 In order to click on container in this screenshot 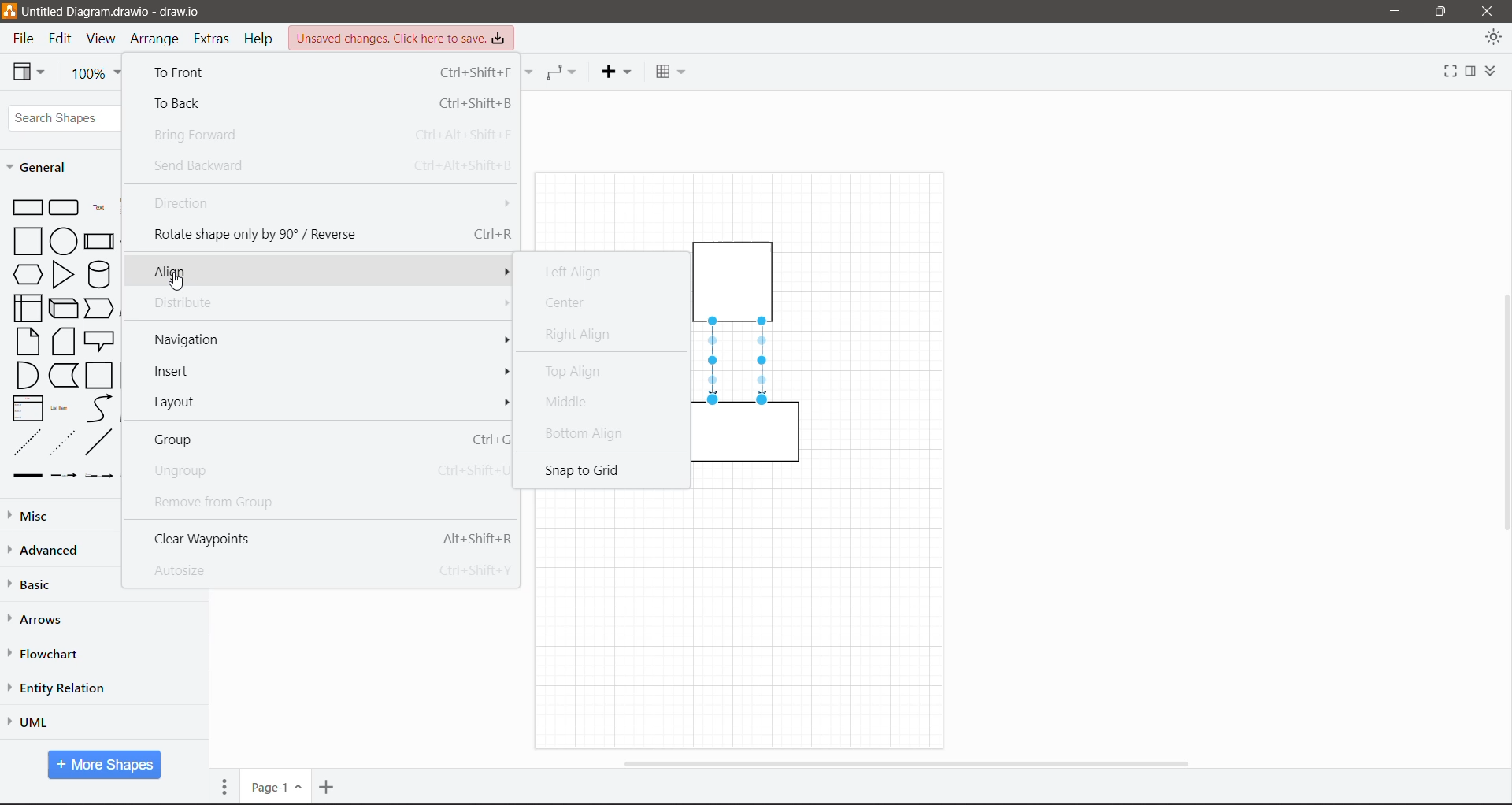, I will do `click(737, 278)`.